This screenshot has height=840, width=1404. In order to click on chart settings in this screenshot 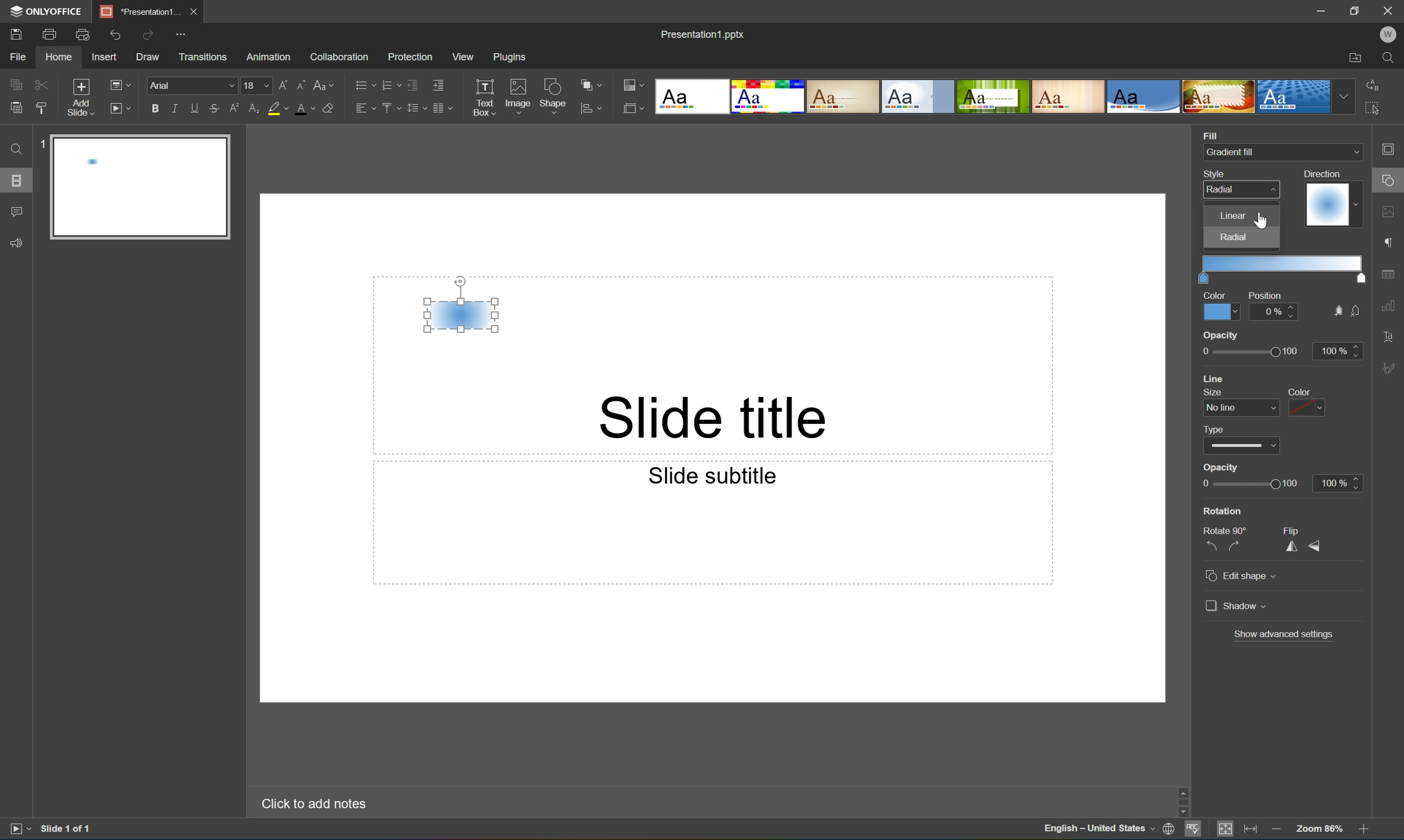, I will do `click(1388, 306)`.